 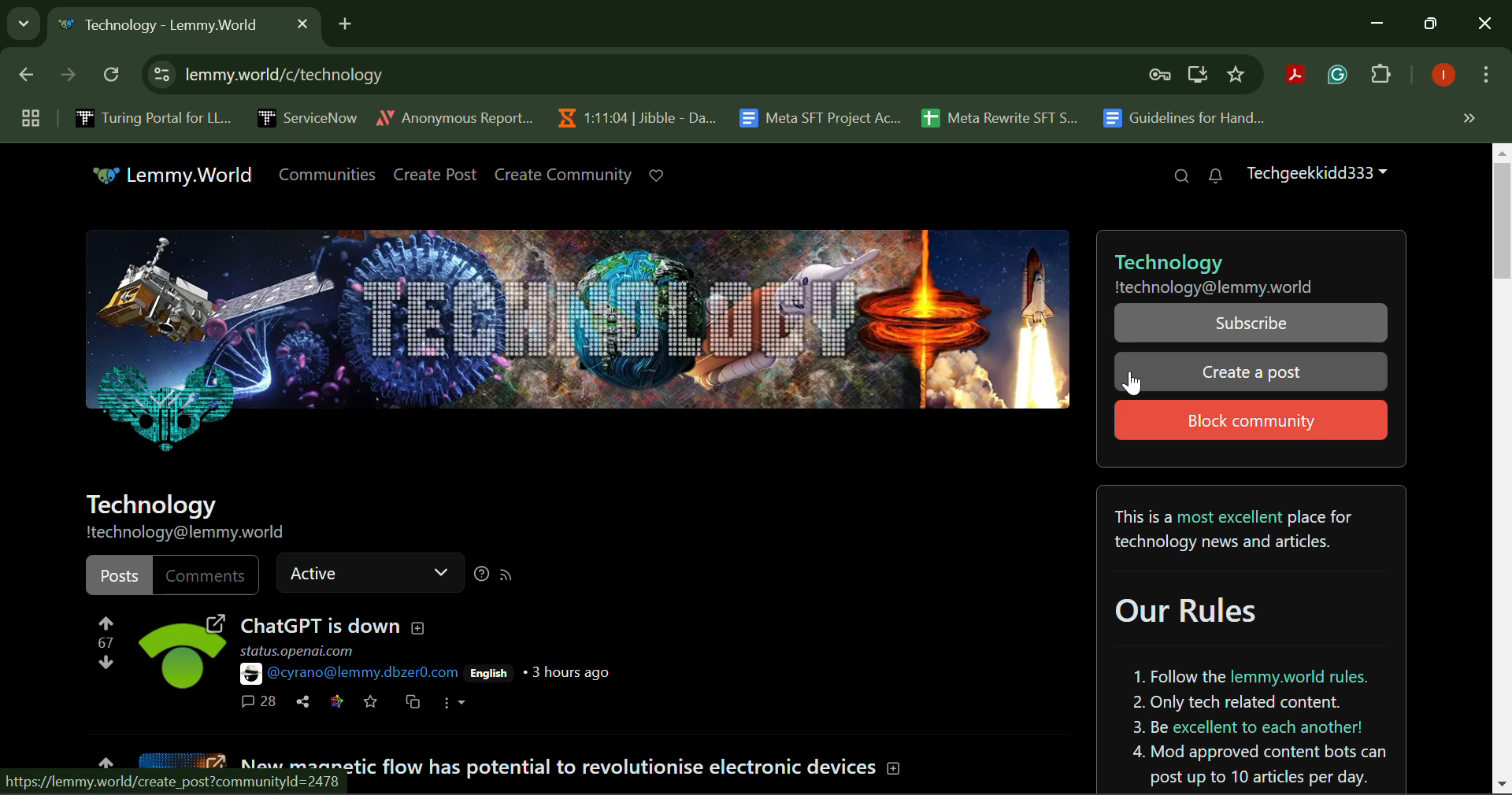 What do you see at coordinates (176, 176) in the screenshot?
I see `Lemmy.World` at bounding box center [176, 176].